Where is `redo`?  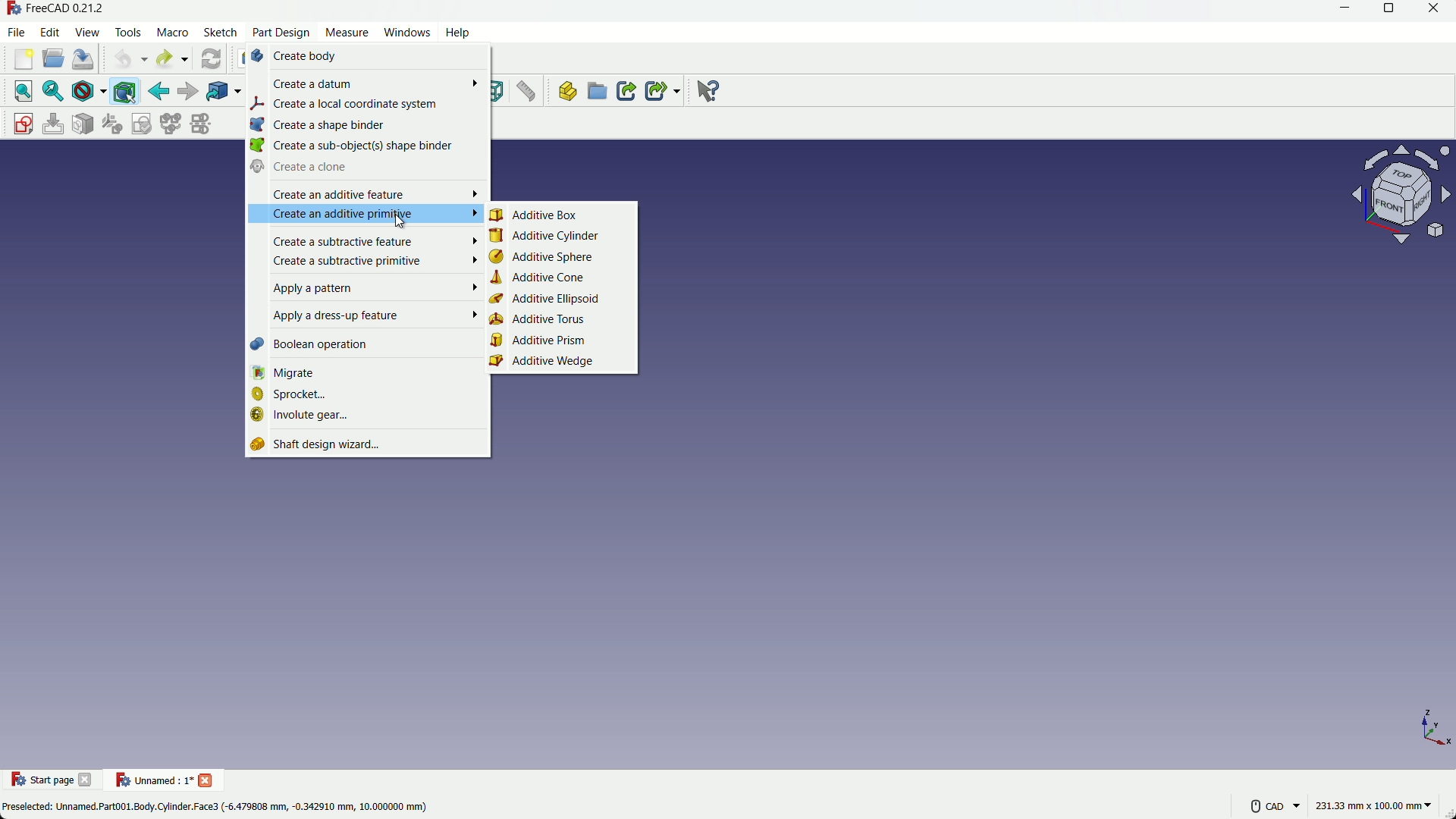 redo is located at coordinates (164, 58).